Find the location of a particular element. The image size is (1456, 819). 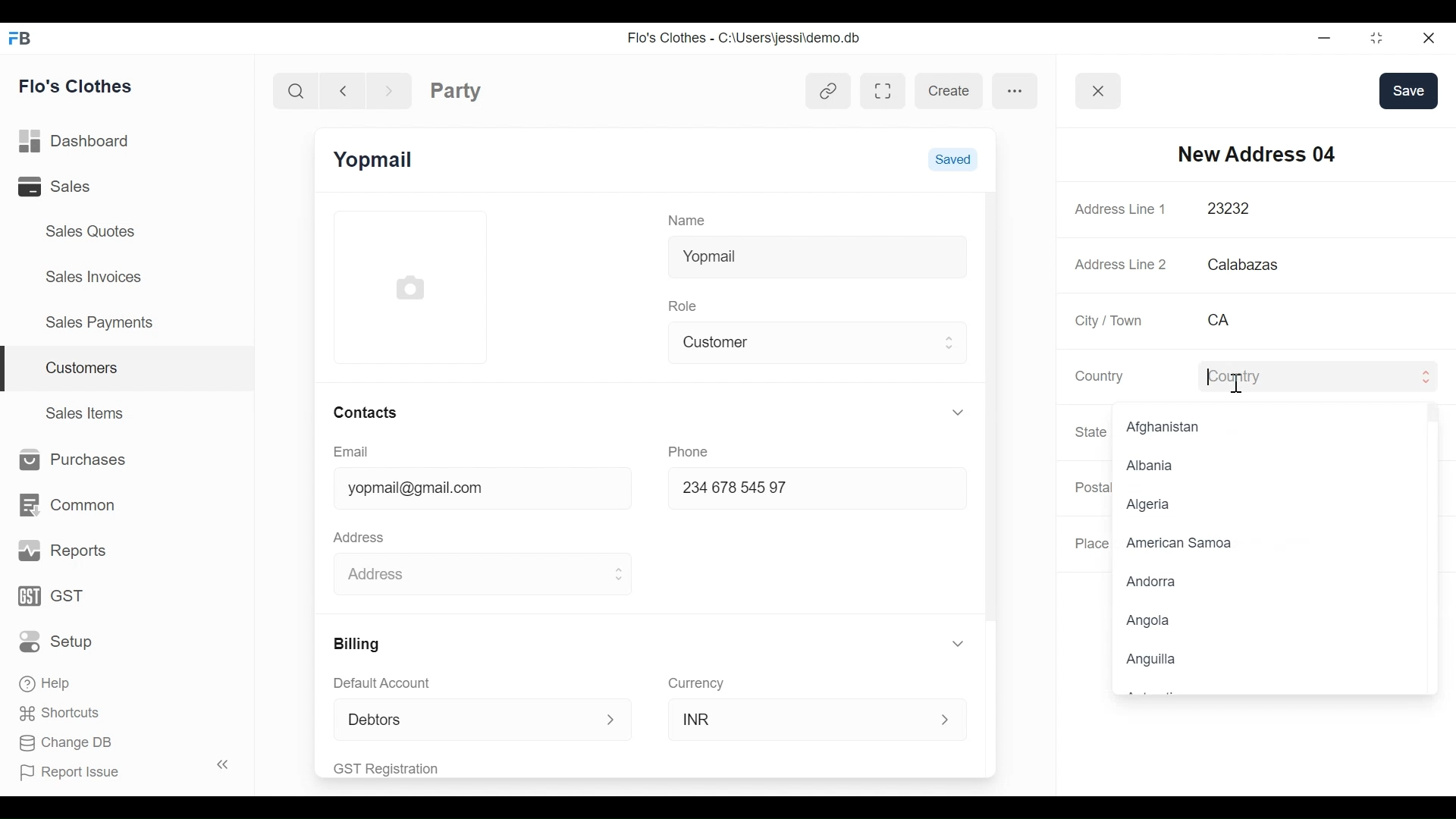

Expand is located at coordinates (1426, 431).